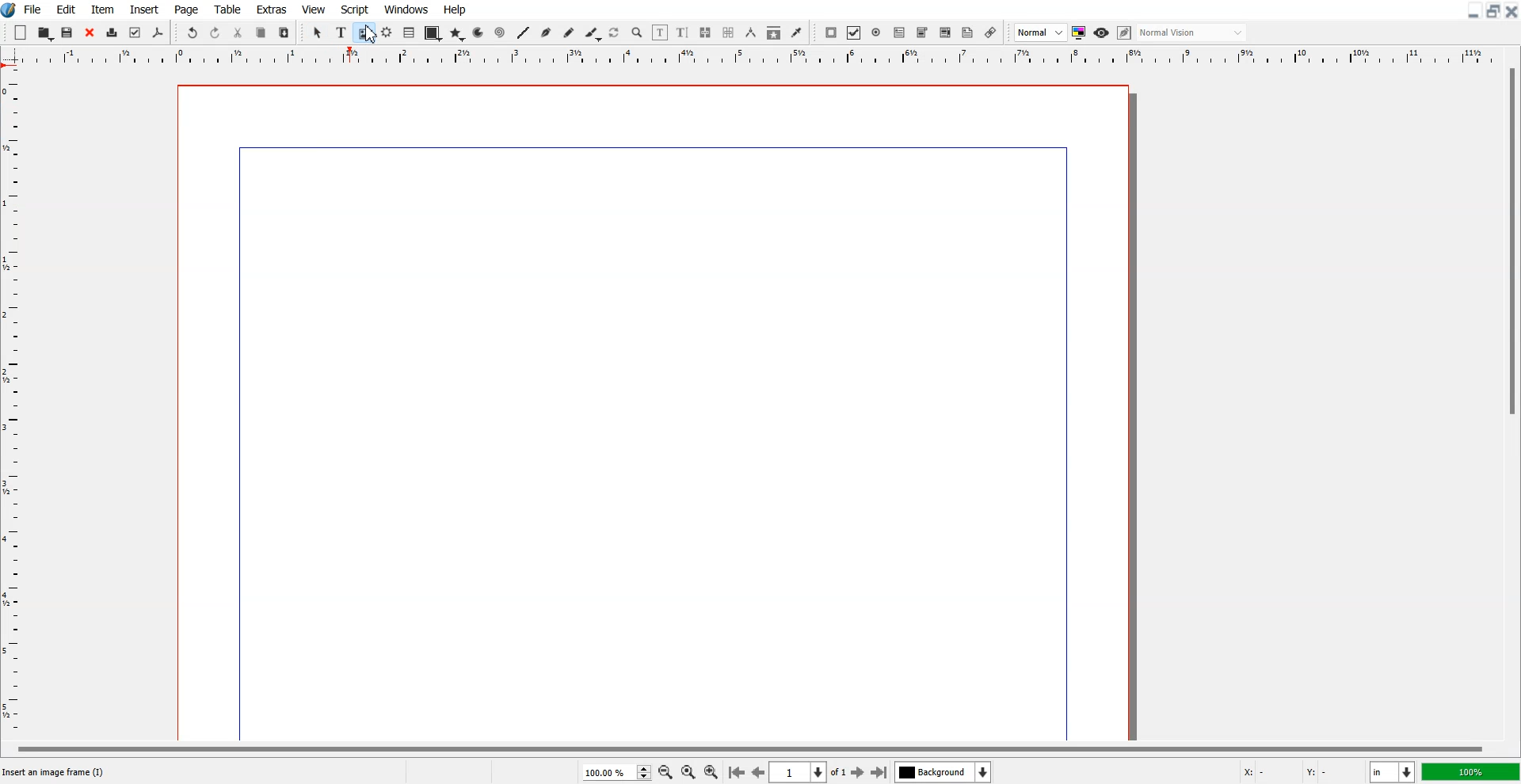  I want to click on Link Annotation, so click(991, 32).